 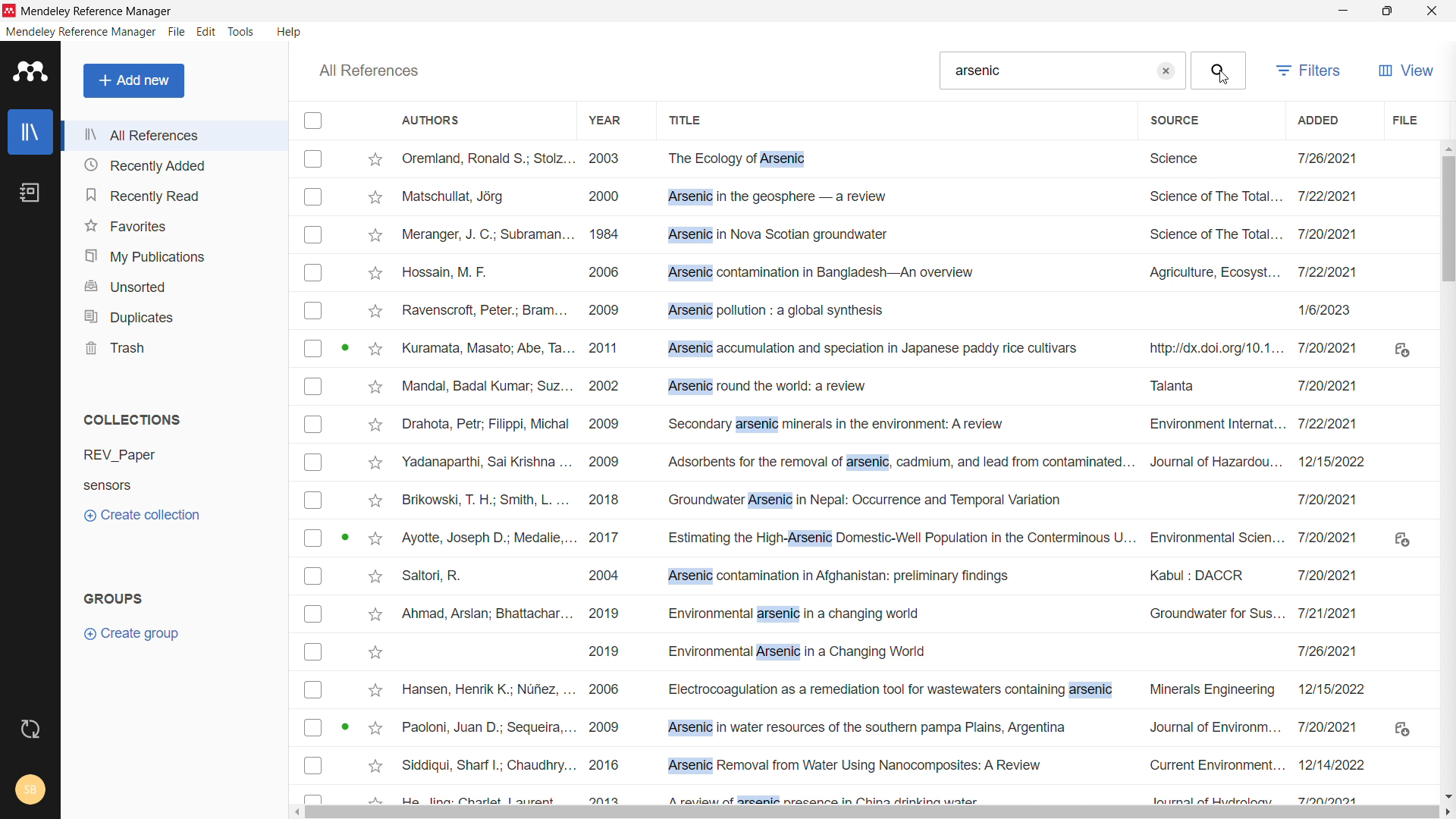 What do you see at coordinates (1386, 11) in the screenshot?
I see `maximize` at bounding box center [1386, 11].